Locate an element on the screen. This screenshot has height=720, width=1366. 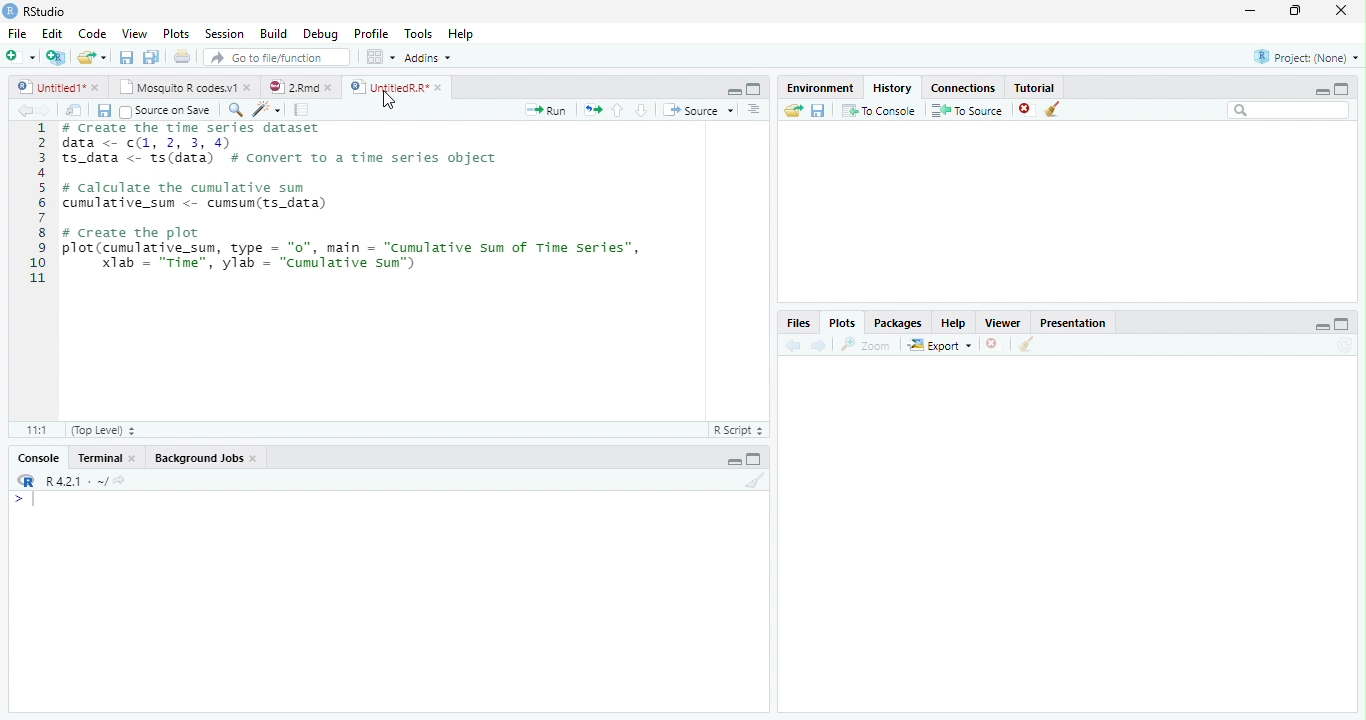
# Create the time series dataset data <- (1, 2, 3, 4)S_data <- ts(data) # convert to a time series objectcalculate the cumulative sumumulative_sum <- cumsum(ts_data)create the plotlot (cumulative_sum, type = "0", main = "Cumulative sum of Time Series”,Xlab = "Time", ylab = "cumulative sun") is located at coordinates (362, 205).